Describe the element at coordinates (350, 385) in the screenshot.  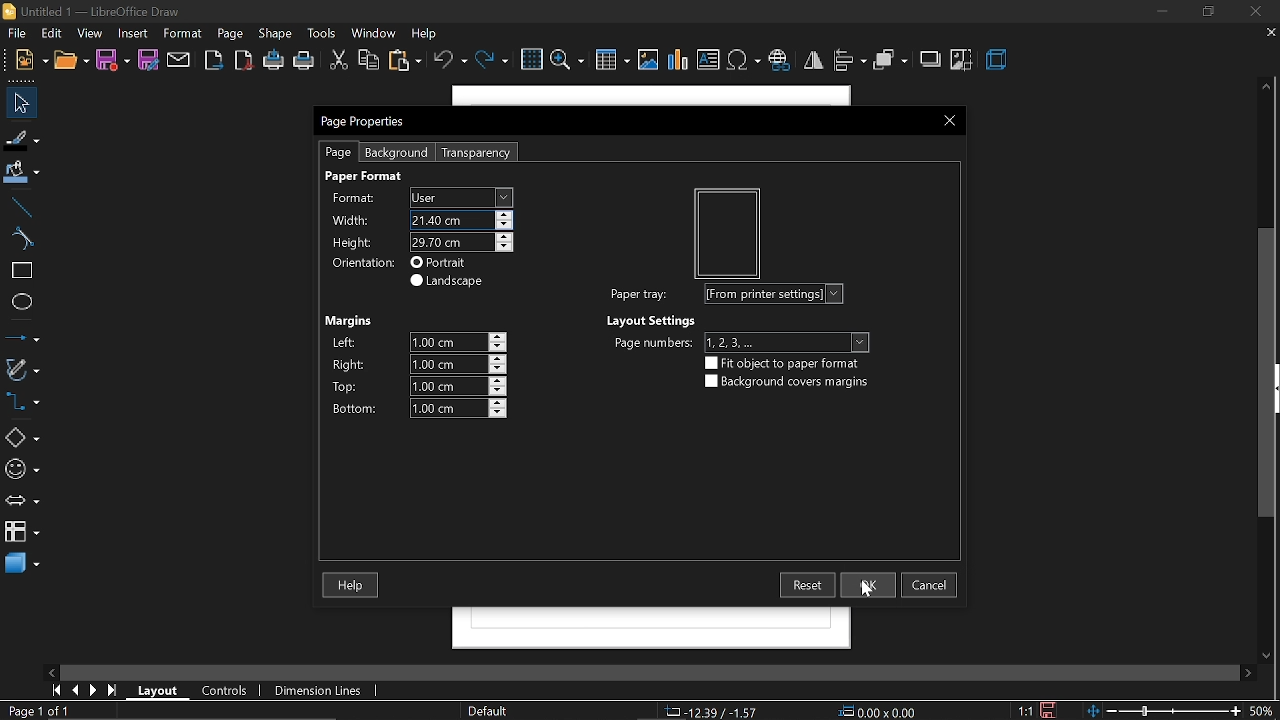
I see `top margins` at that location.